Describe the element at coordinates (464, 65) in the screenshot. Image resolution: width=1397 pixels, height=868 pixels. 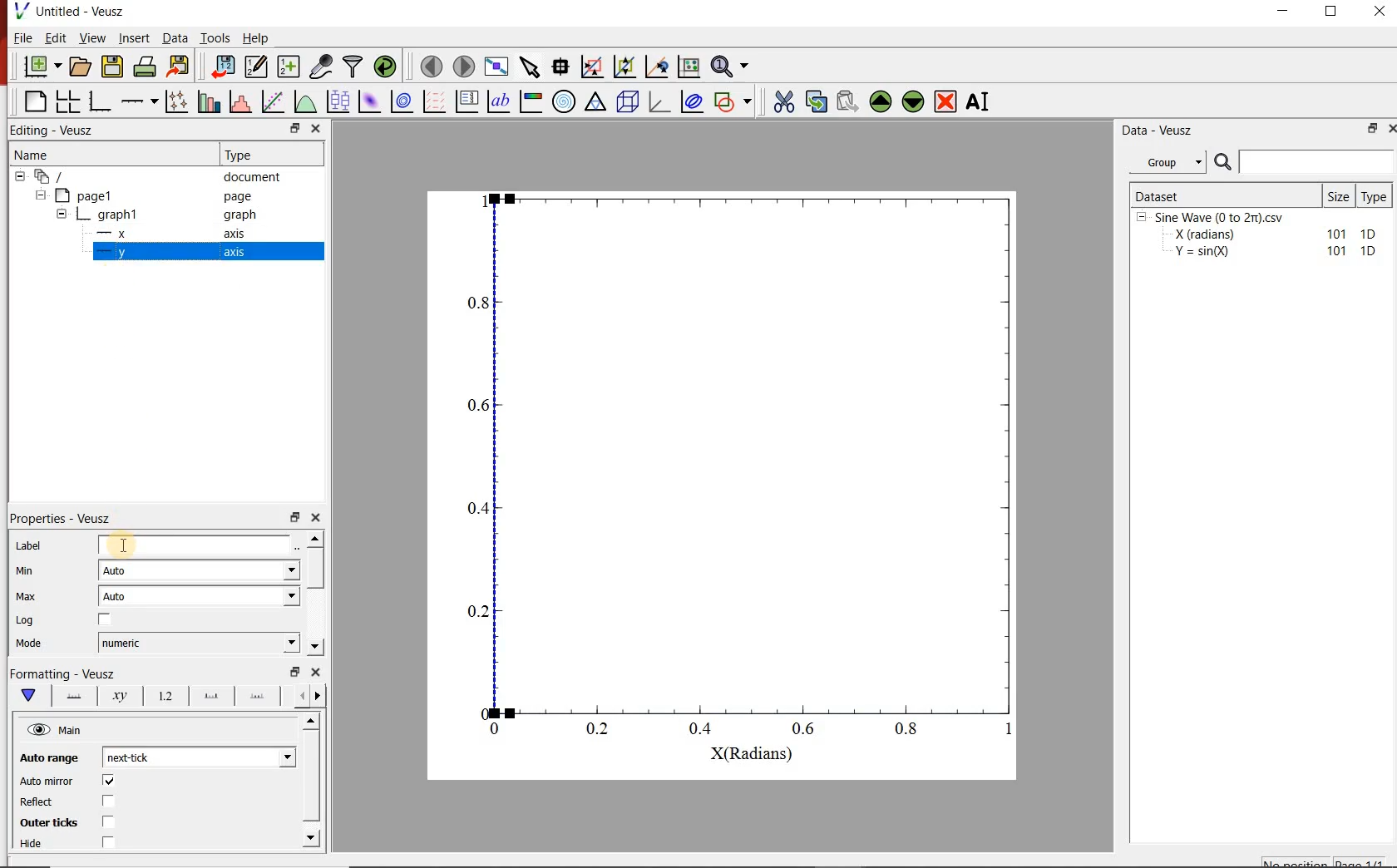
I see `go to next page` at that location.